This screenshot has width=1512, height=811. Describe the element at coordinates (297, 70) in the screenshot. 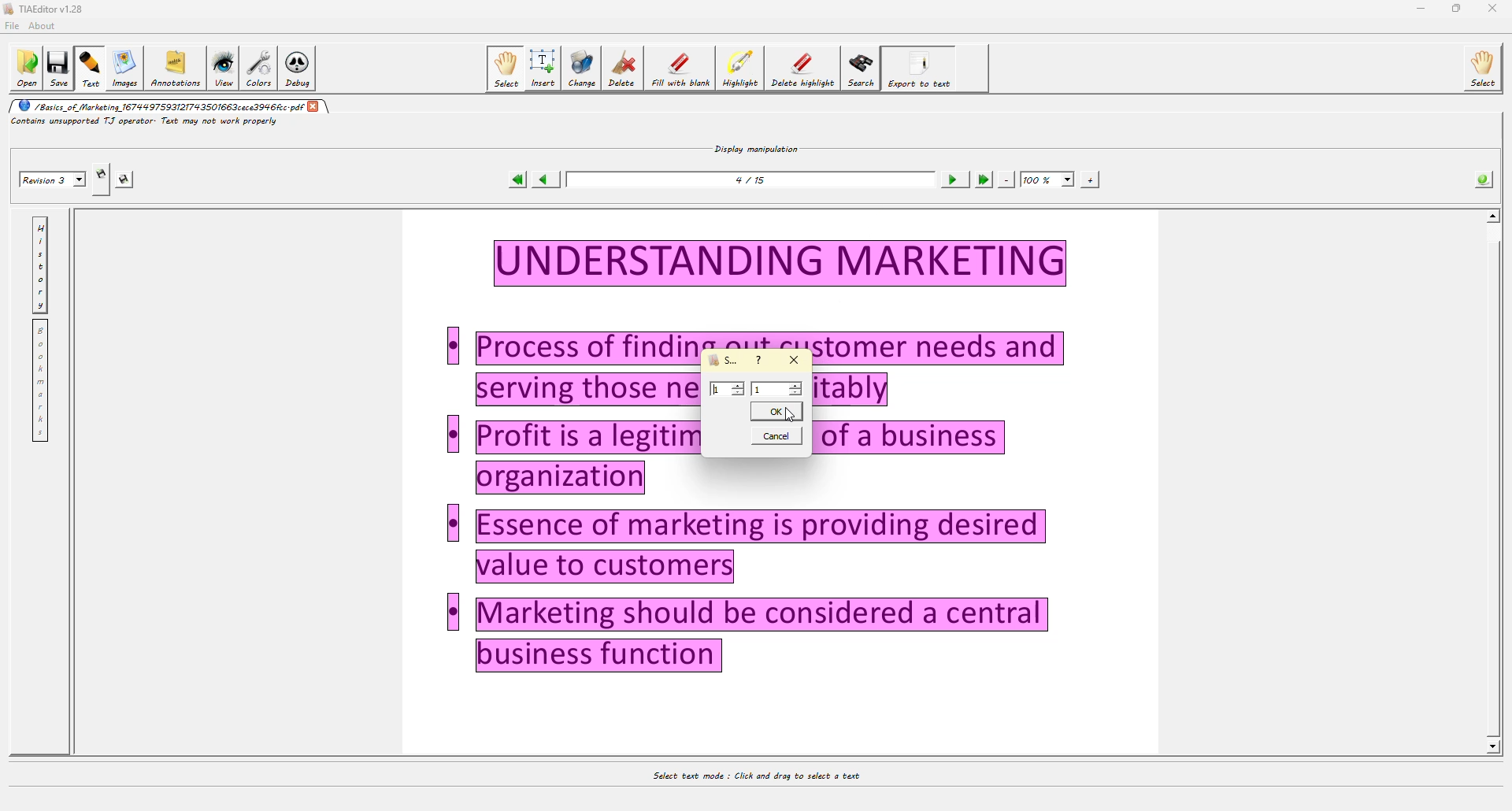

I see `debug` at that location.